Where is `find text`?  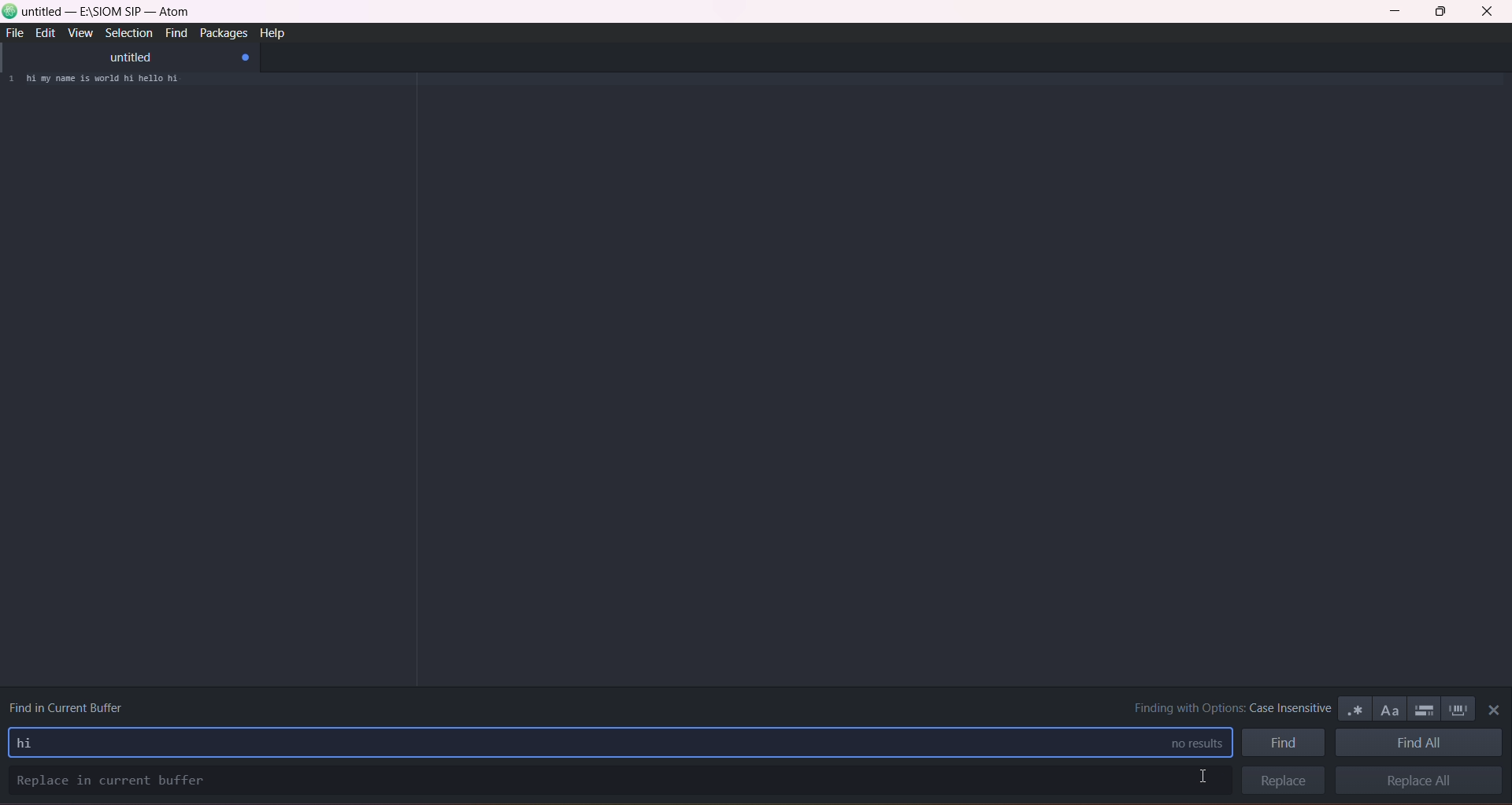 find text is located at coordinates (32, 742).